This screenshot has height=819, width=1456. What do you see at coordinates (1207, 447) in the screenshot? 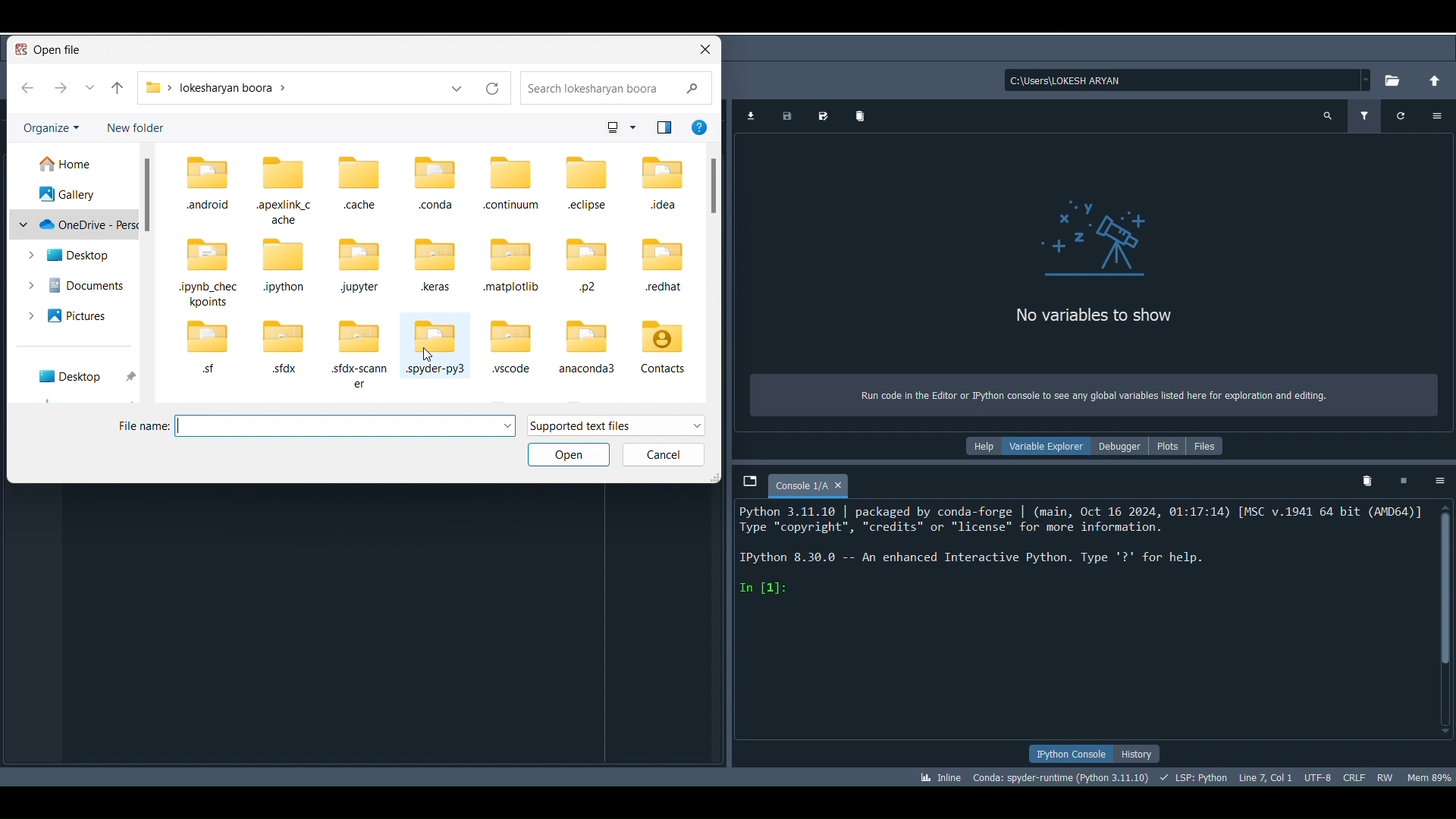
I see `Files` at bounding box center [1207, 447].